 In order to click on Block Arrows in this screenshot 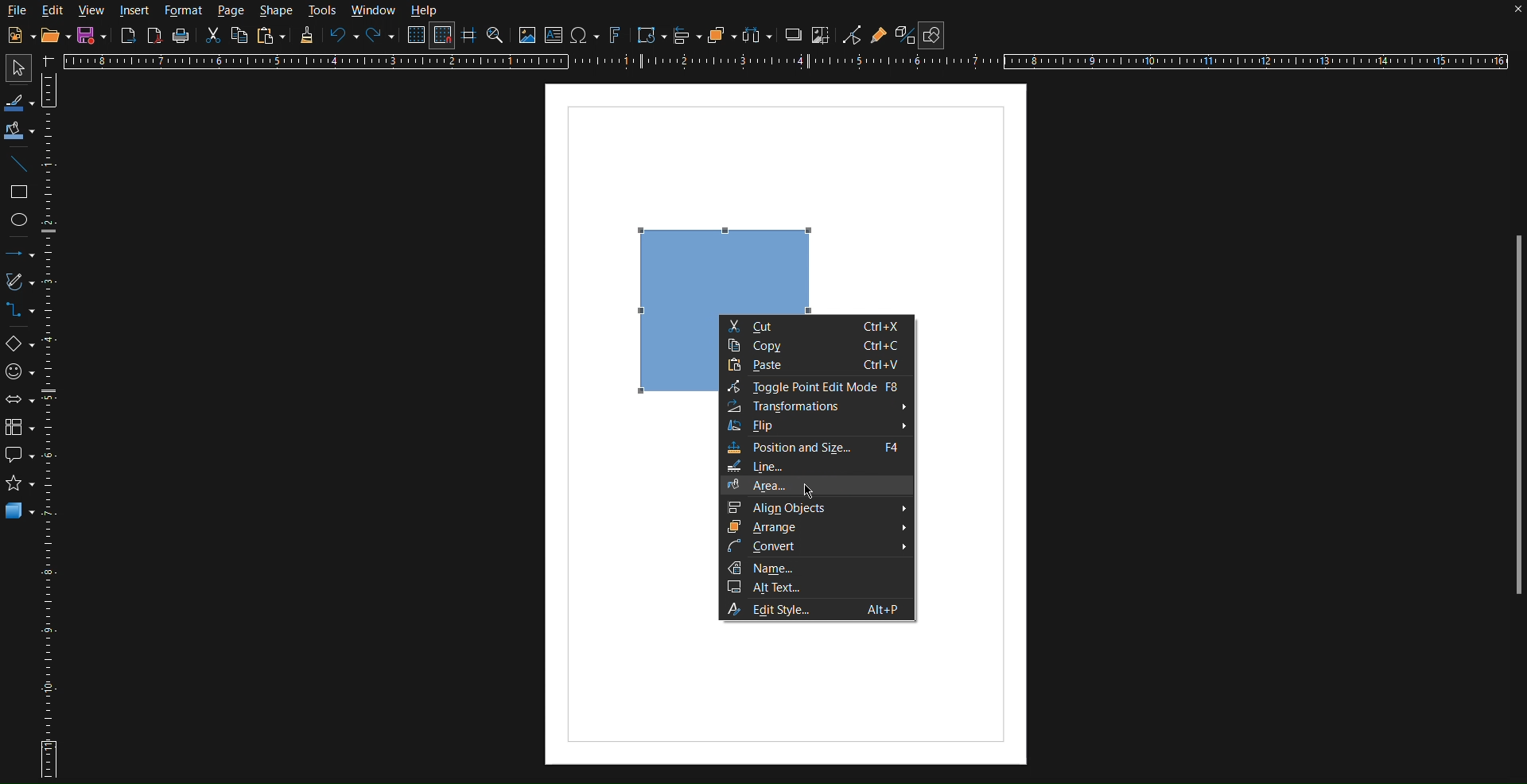, I will do `click(19, 400)`.